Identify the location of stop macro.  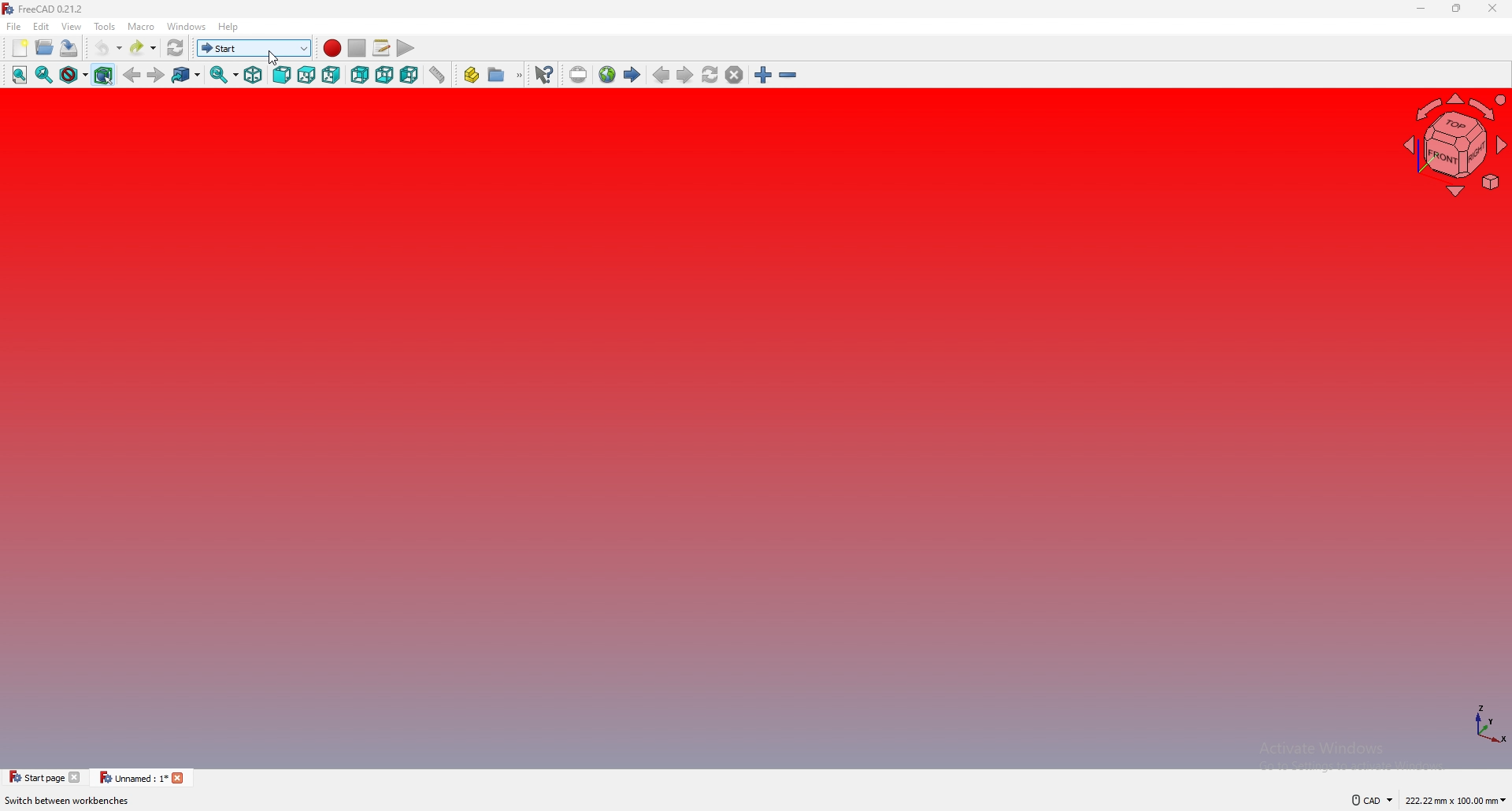
(356, 47).